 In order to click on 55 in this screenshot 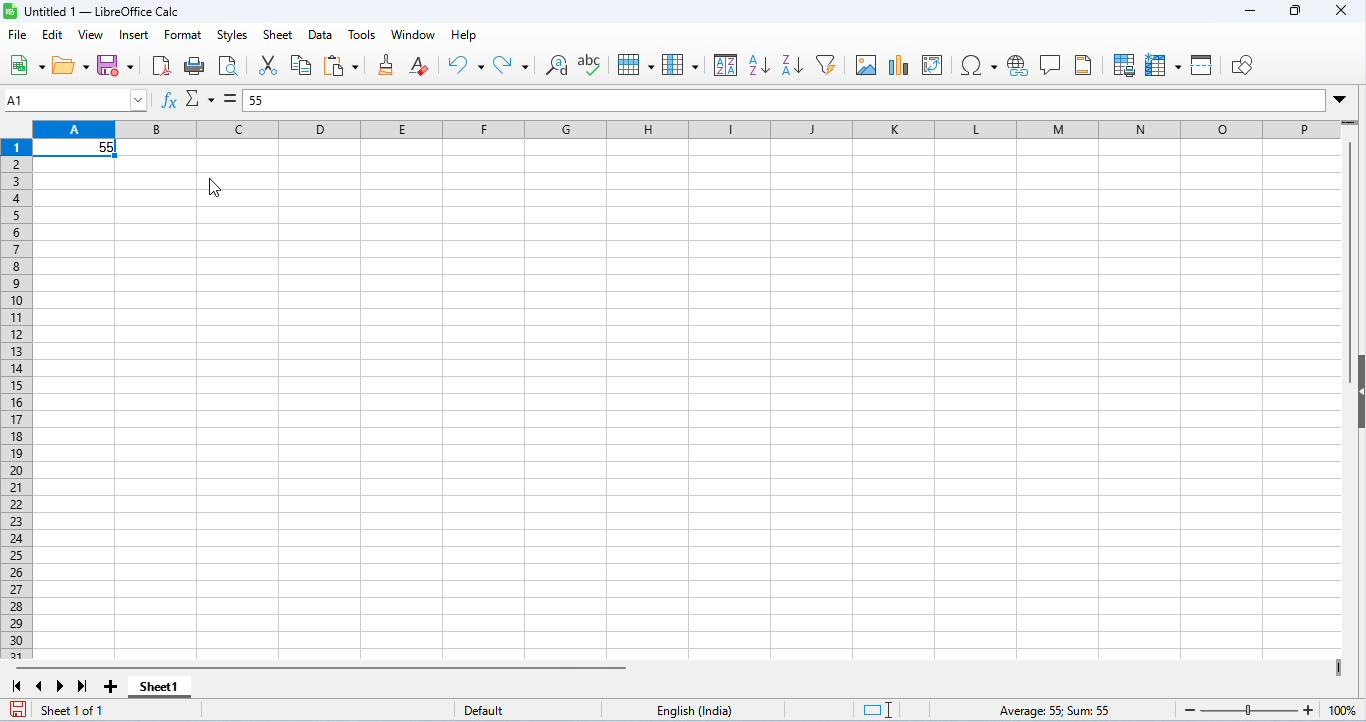, I will do `click(257, 101)`.